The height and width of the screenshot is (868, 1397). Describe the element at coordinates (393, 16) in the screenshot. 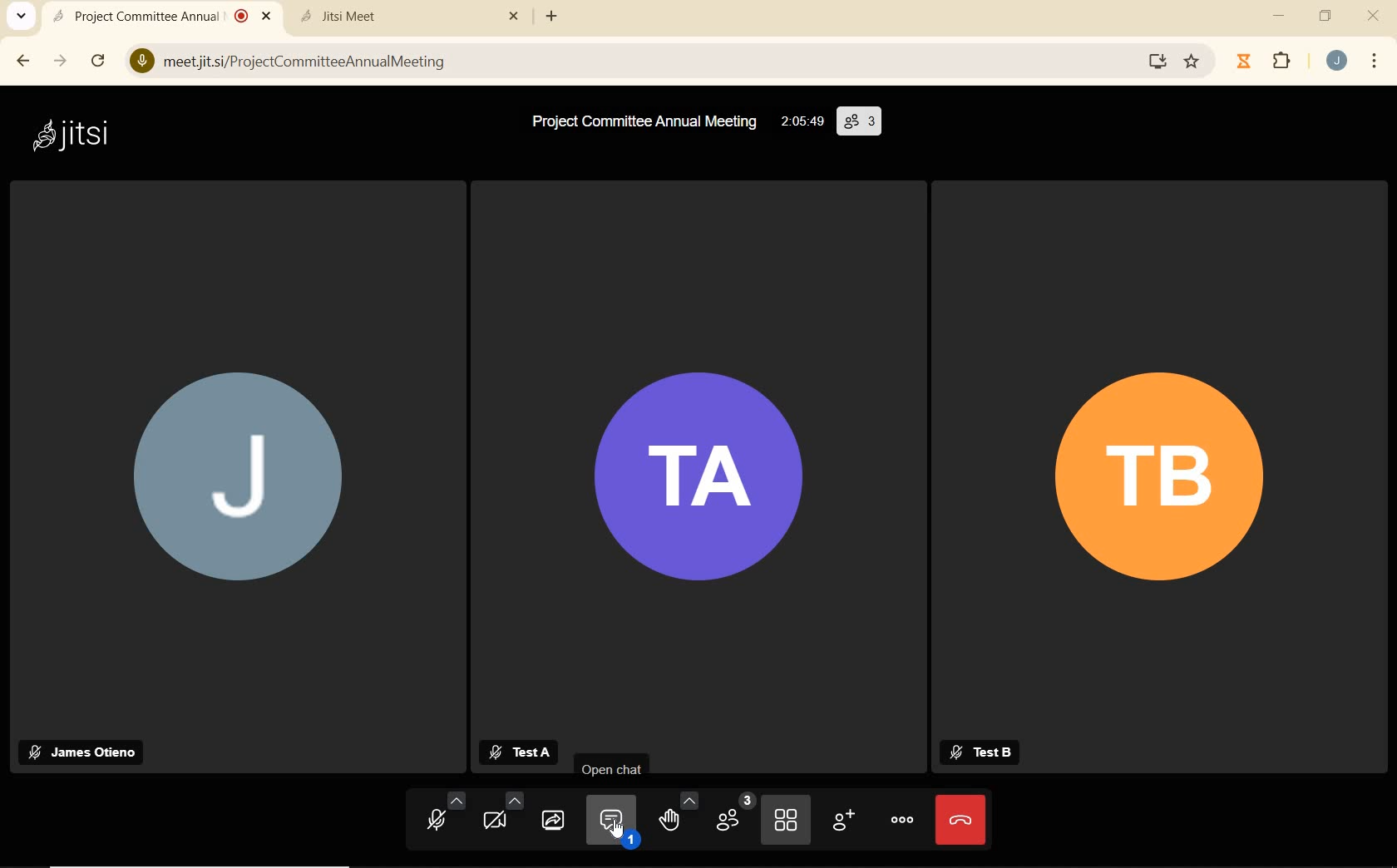

I see `tab` at that location.